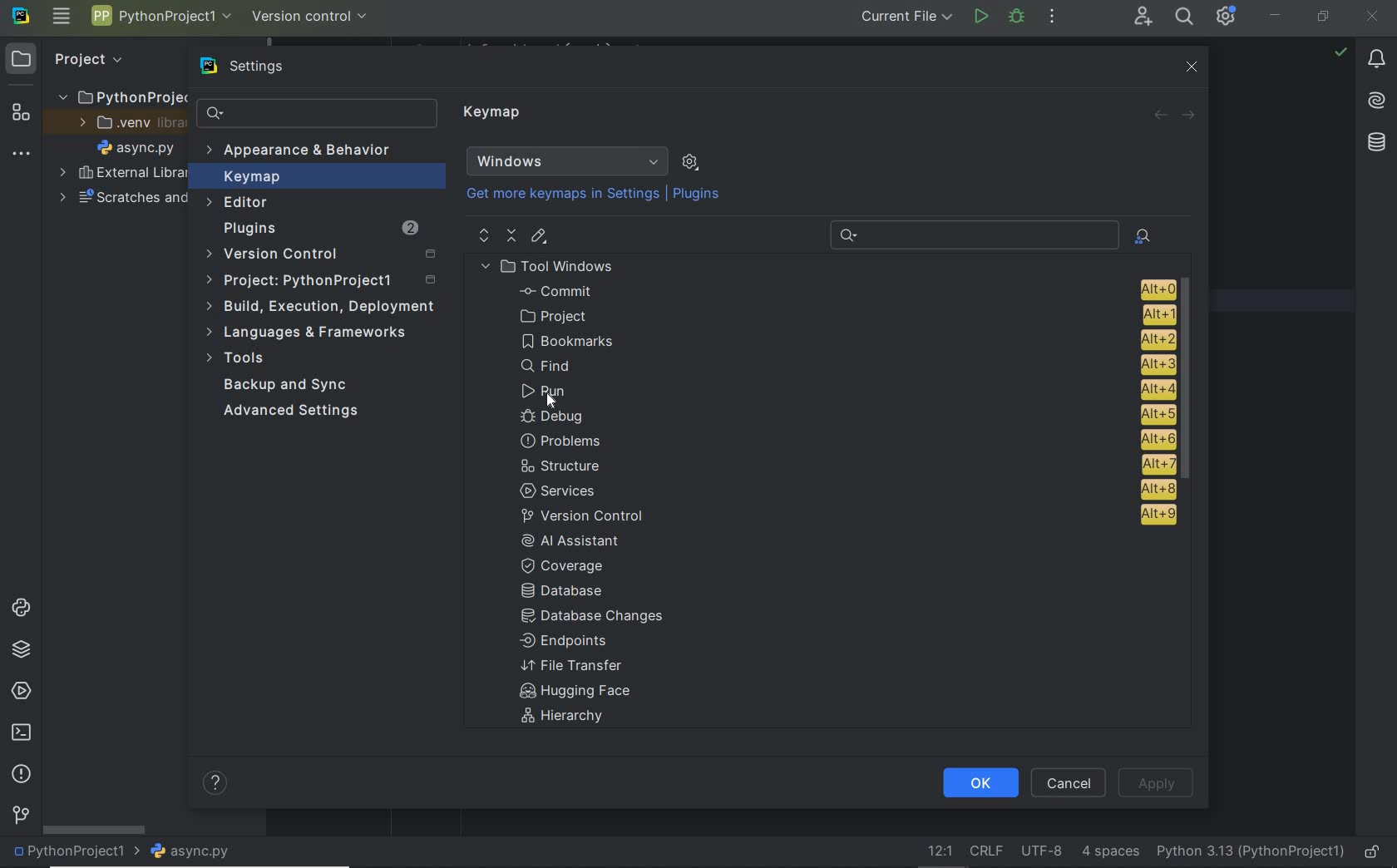  Describe the element at coordinates (846, 489) in the screenshot. I see `services` at that location.